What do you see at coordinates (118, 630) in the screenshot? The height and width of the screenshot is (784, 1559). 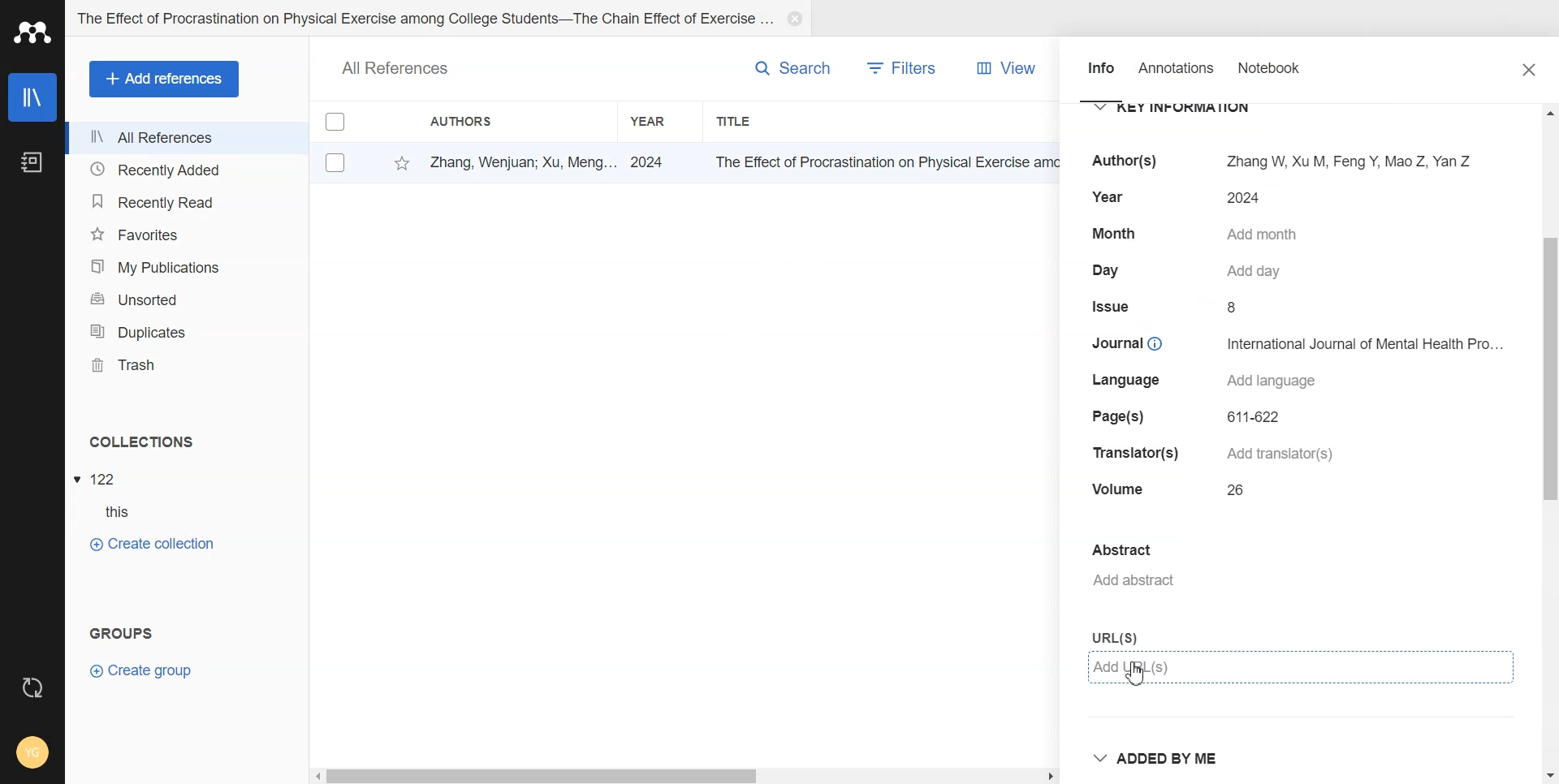 I see `Text` at bounding box center [118, 630].